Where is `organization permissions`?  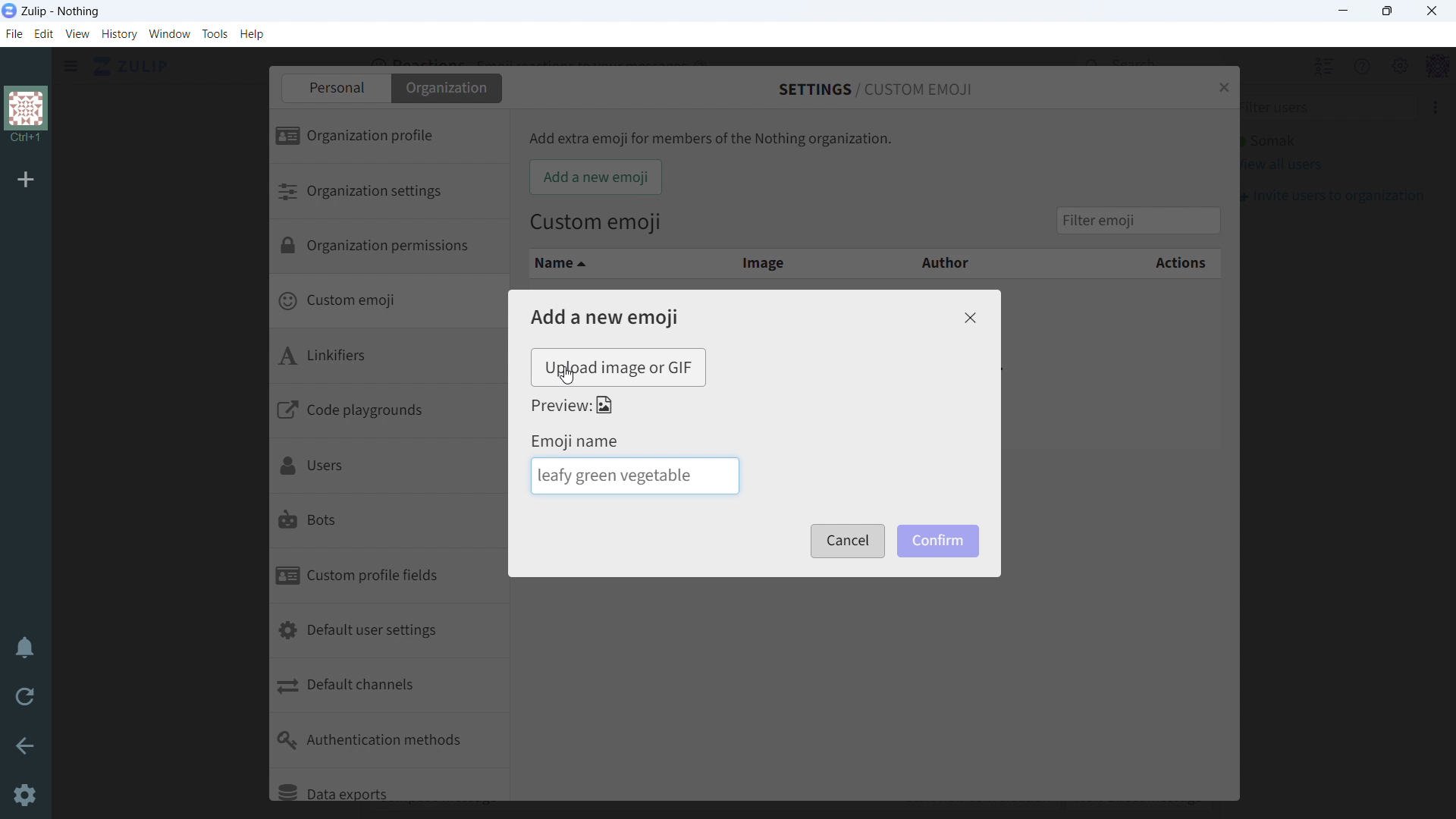 organization permissions is located at coordinates (388, 249).